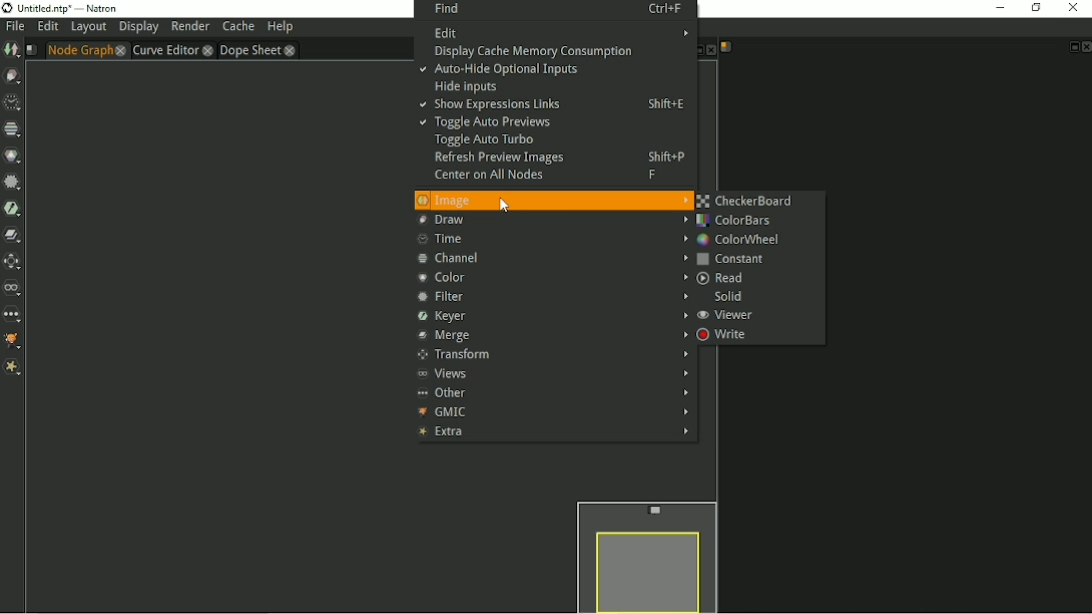 Image resolution: width=1092 pixels, height=614 pixels. What do you see at coordinates (504, 206) in the screenshot?
I see `cursor` at bounding box center [504, 206].